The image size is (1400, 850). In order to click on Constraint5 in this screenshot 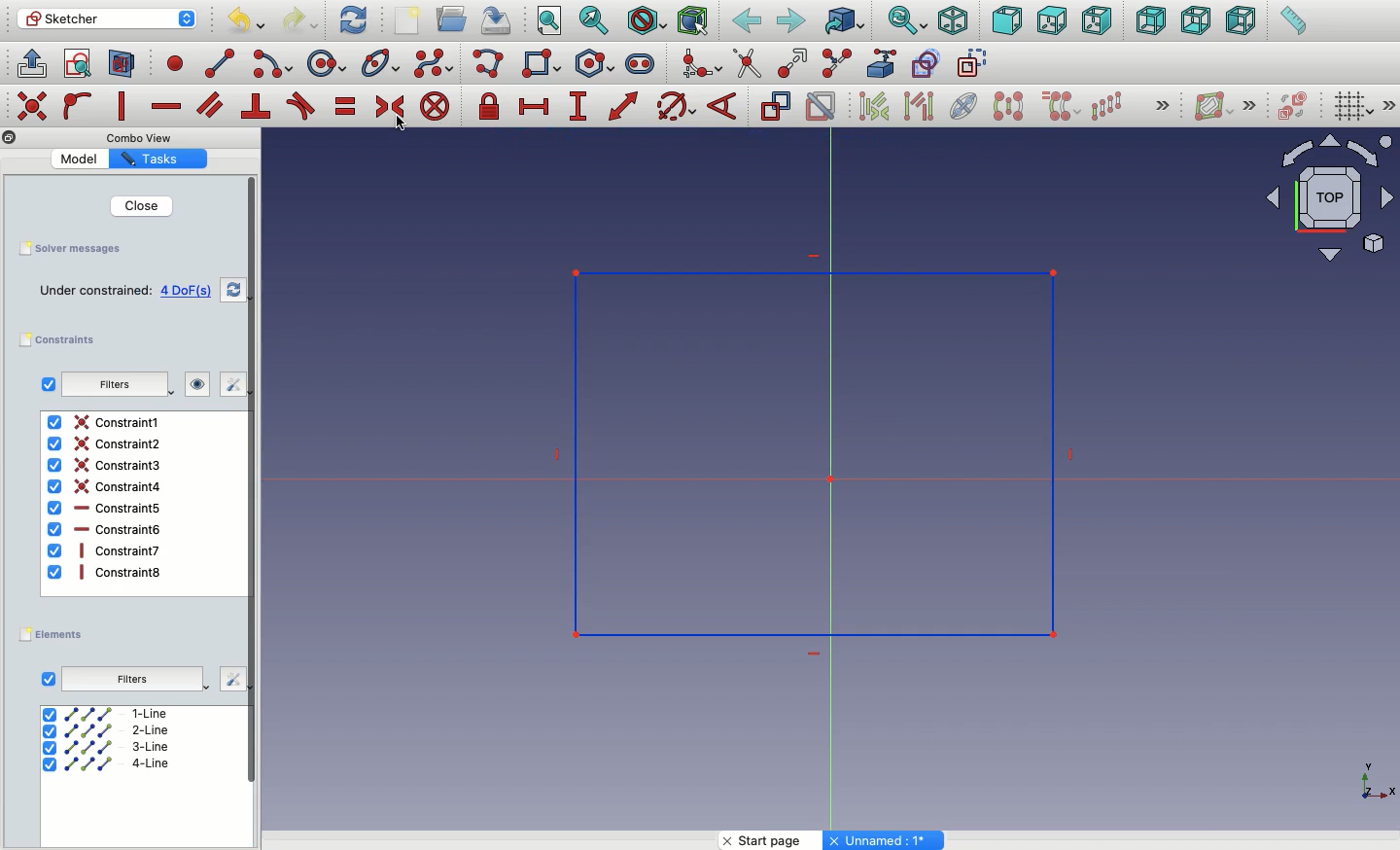, I will do `click(106, 509)`.